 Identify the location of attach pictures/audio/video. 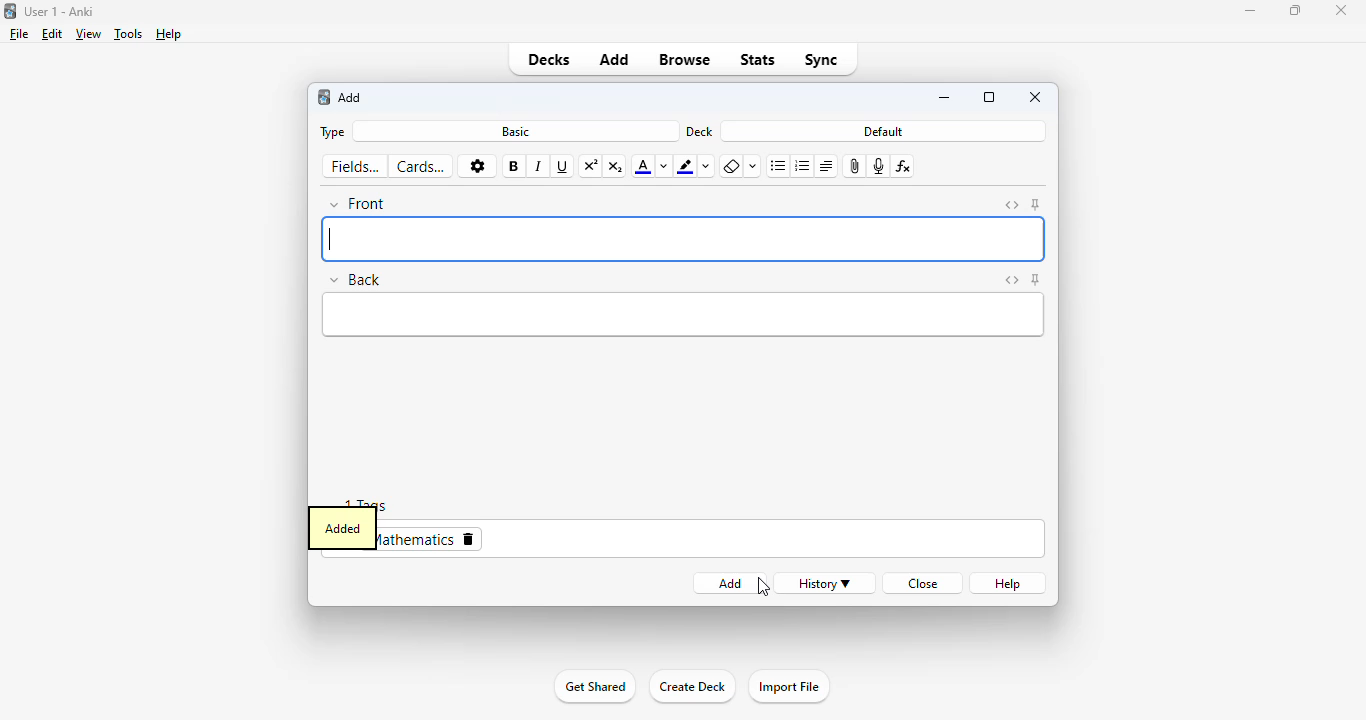
(856, 166).